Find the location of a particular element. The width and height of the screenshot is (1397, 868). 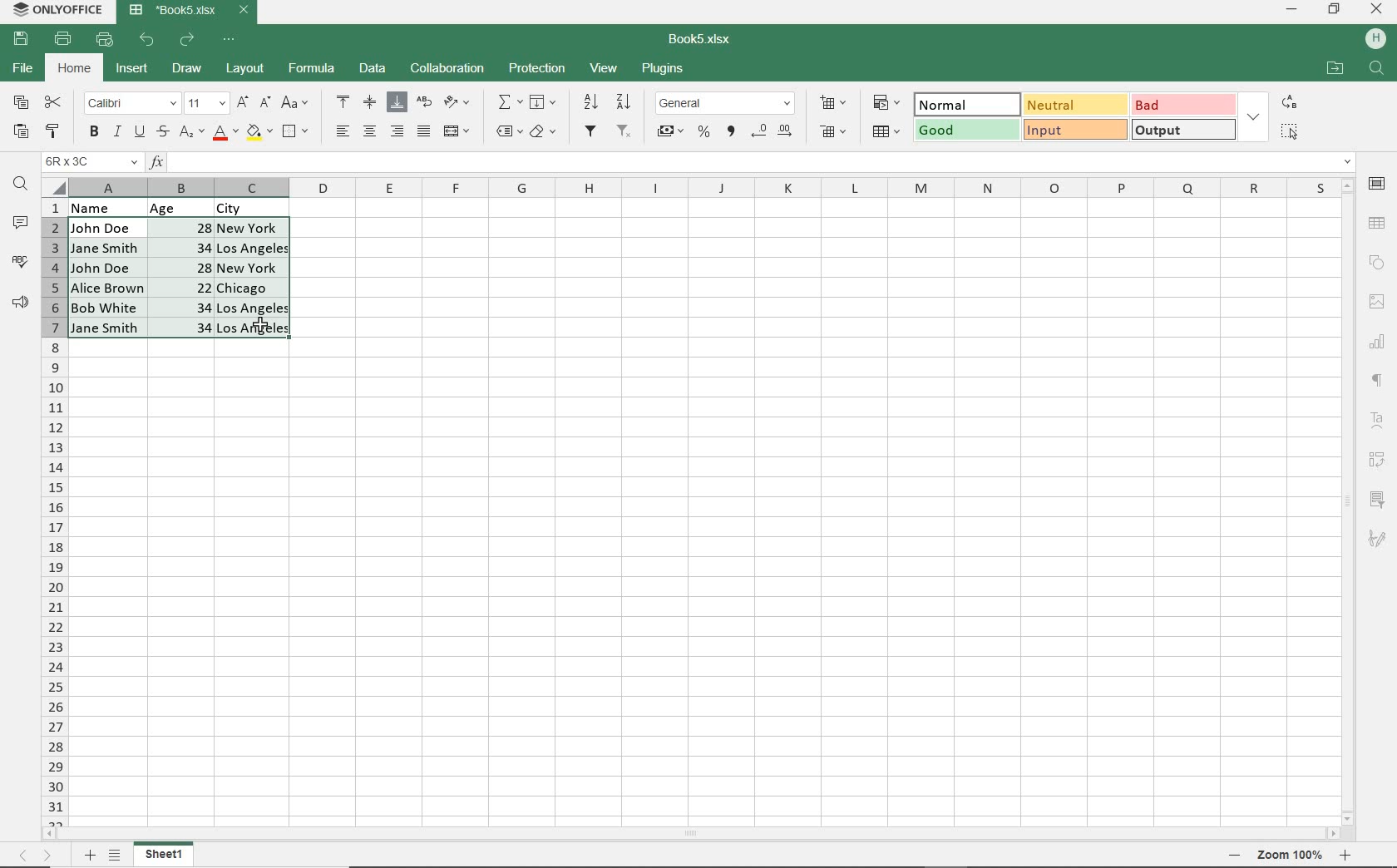

COLUMNS is located at coordinates (701, 187).